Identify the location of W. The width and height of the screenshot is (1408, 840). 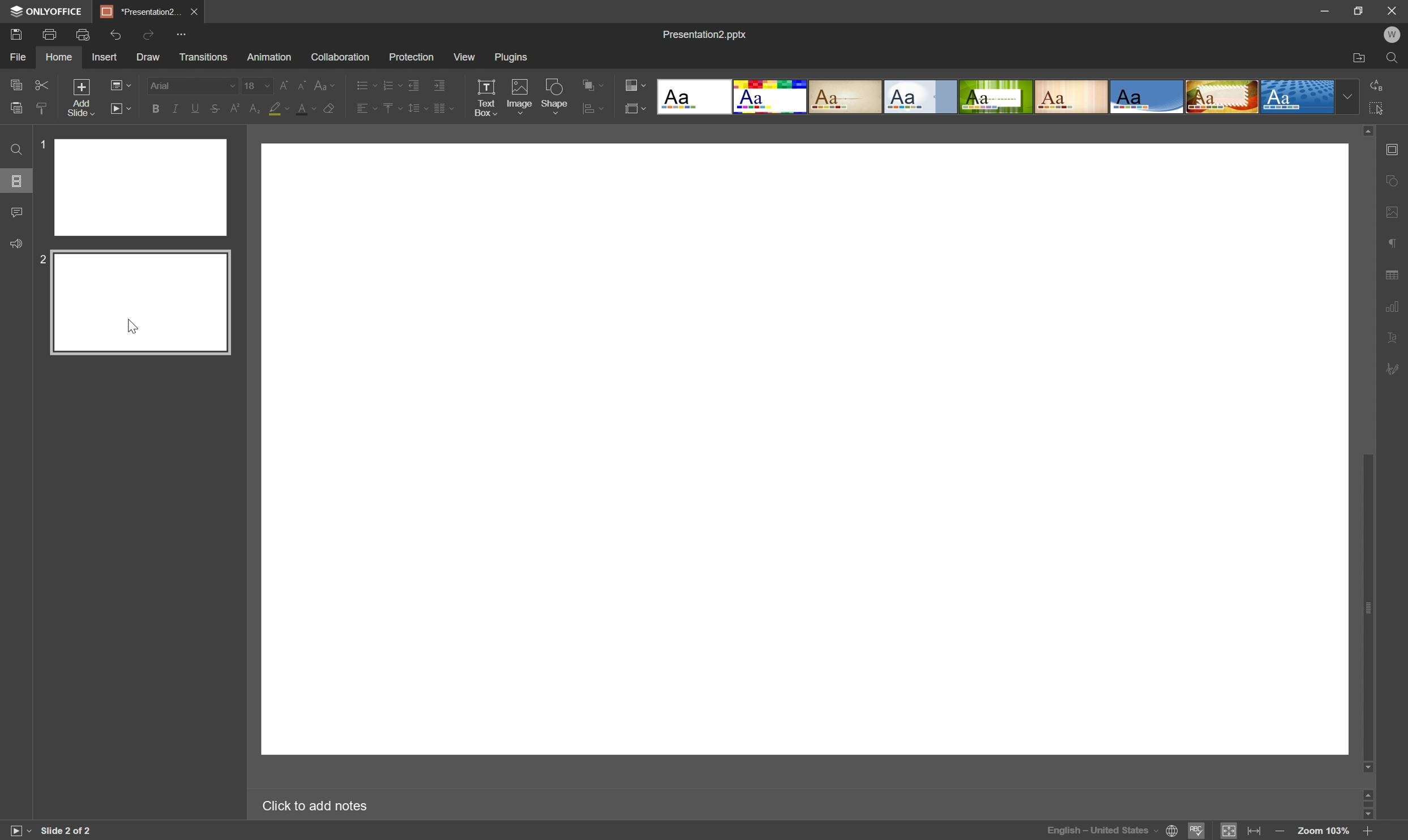
(1391, 32).